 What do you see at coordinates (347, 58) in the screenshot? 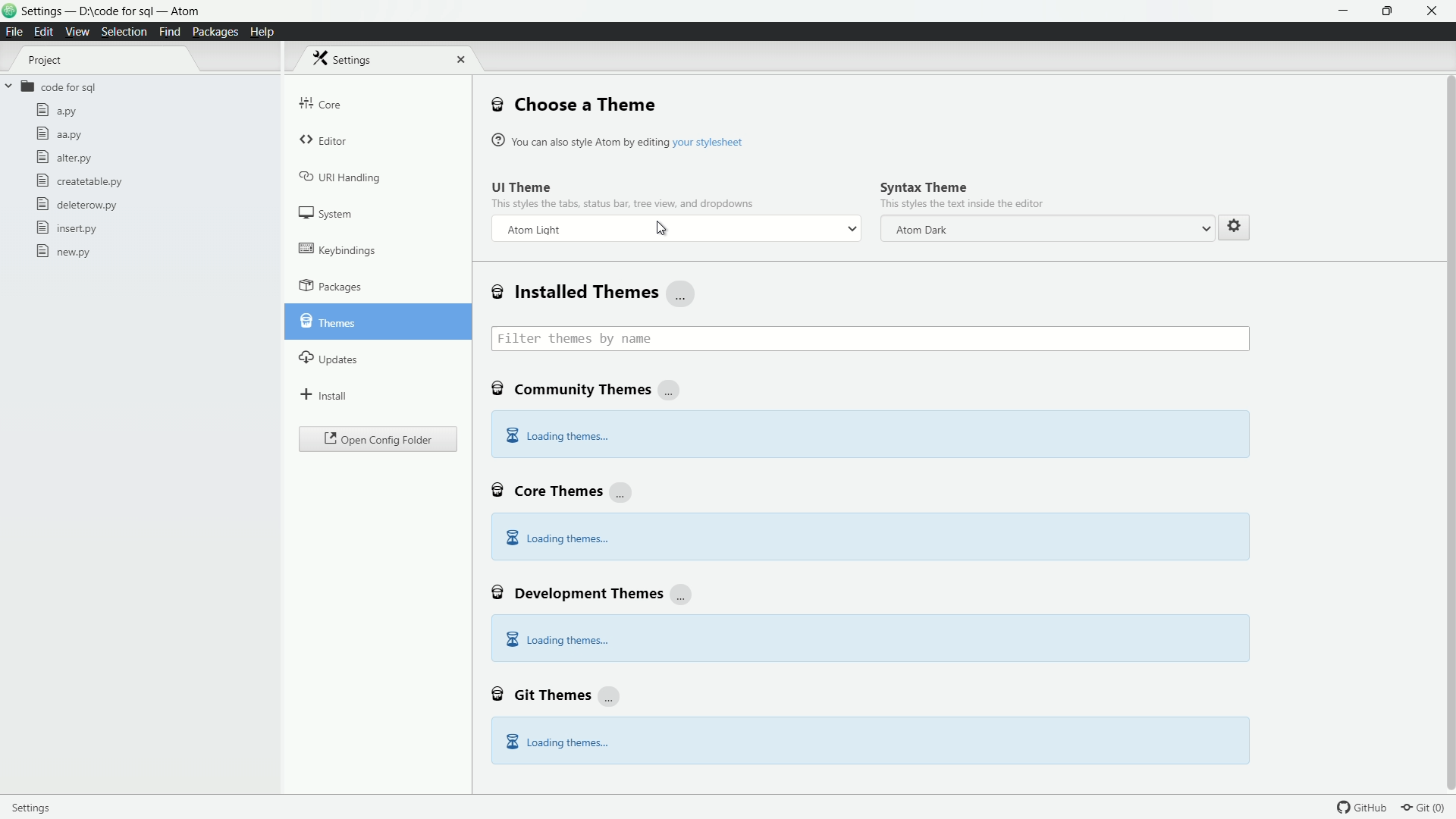
I see `settings` at bounding box center [347, 58].